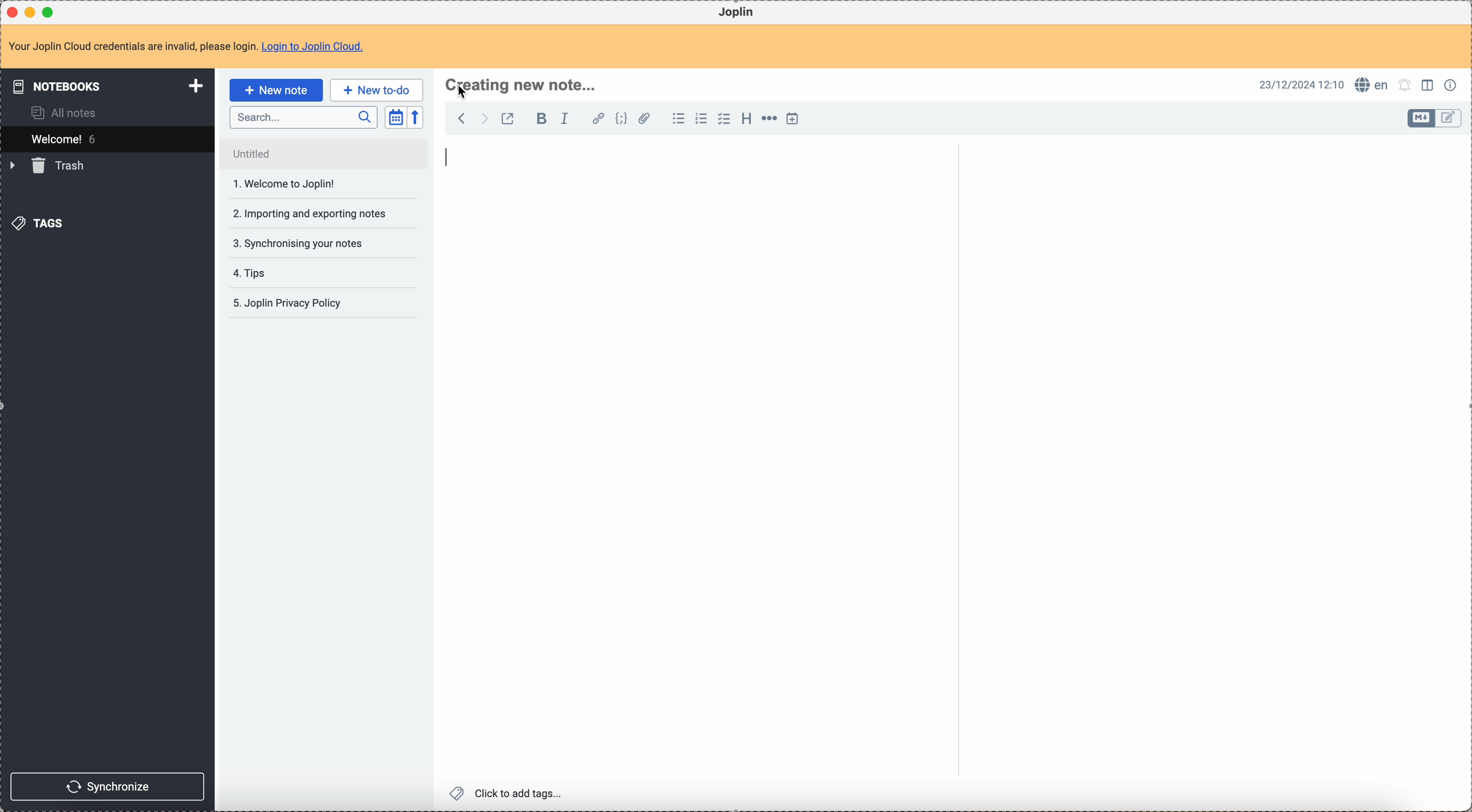  I want to click on horizontal rule, so click(769, 120).